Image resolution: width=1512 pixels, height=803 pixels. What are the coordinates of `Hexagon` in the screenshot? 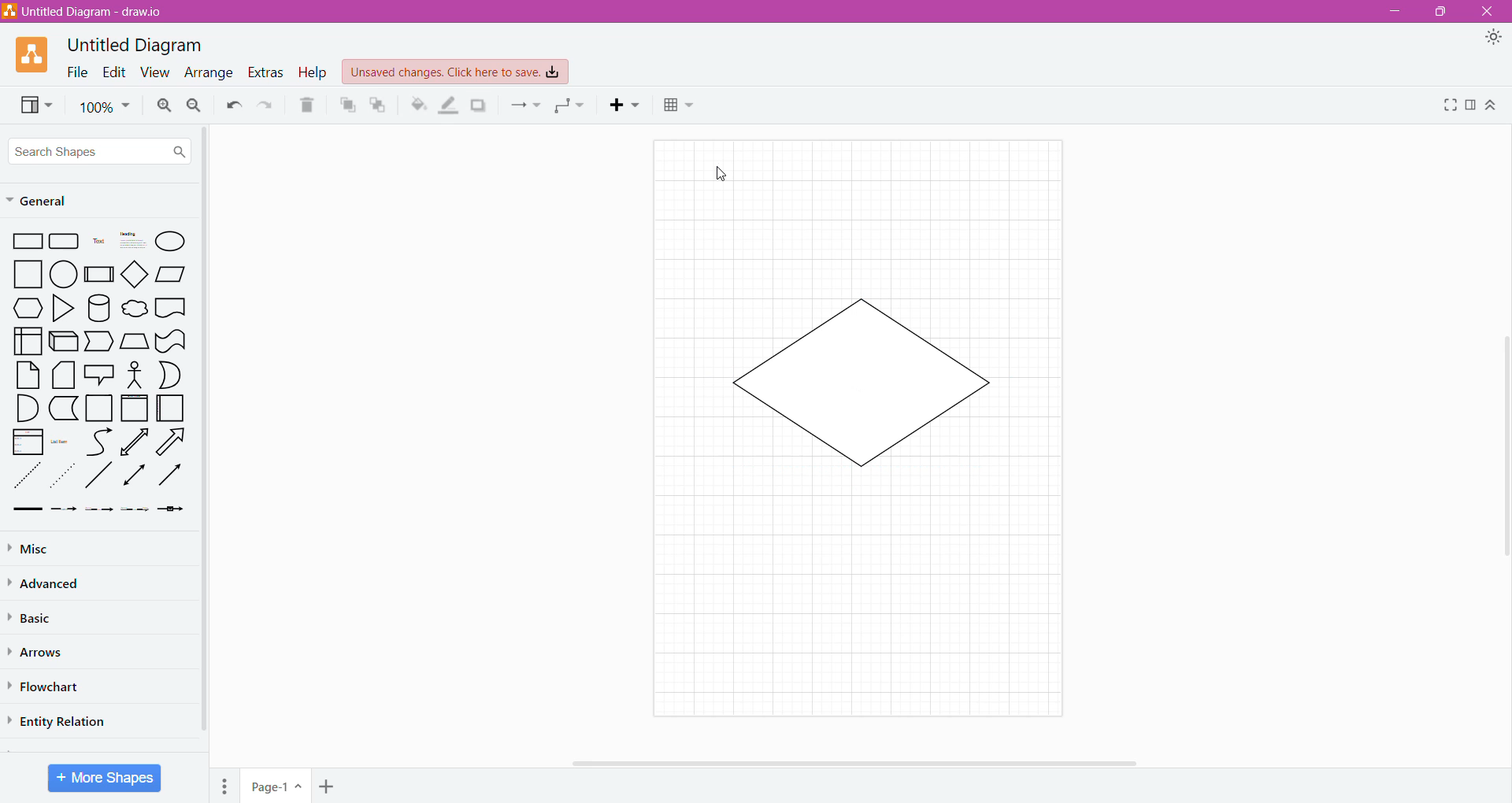 It's located at (28, 308).